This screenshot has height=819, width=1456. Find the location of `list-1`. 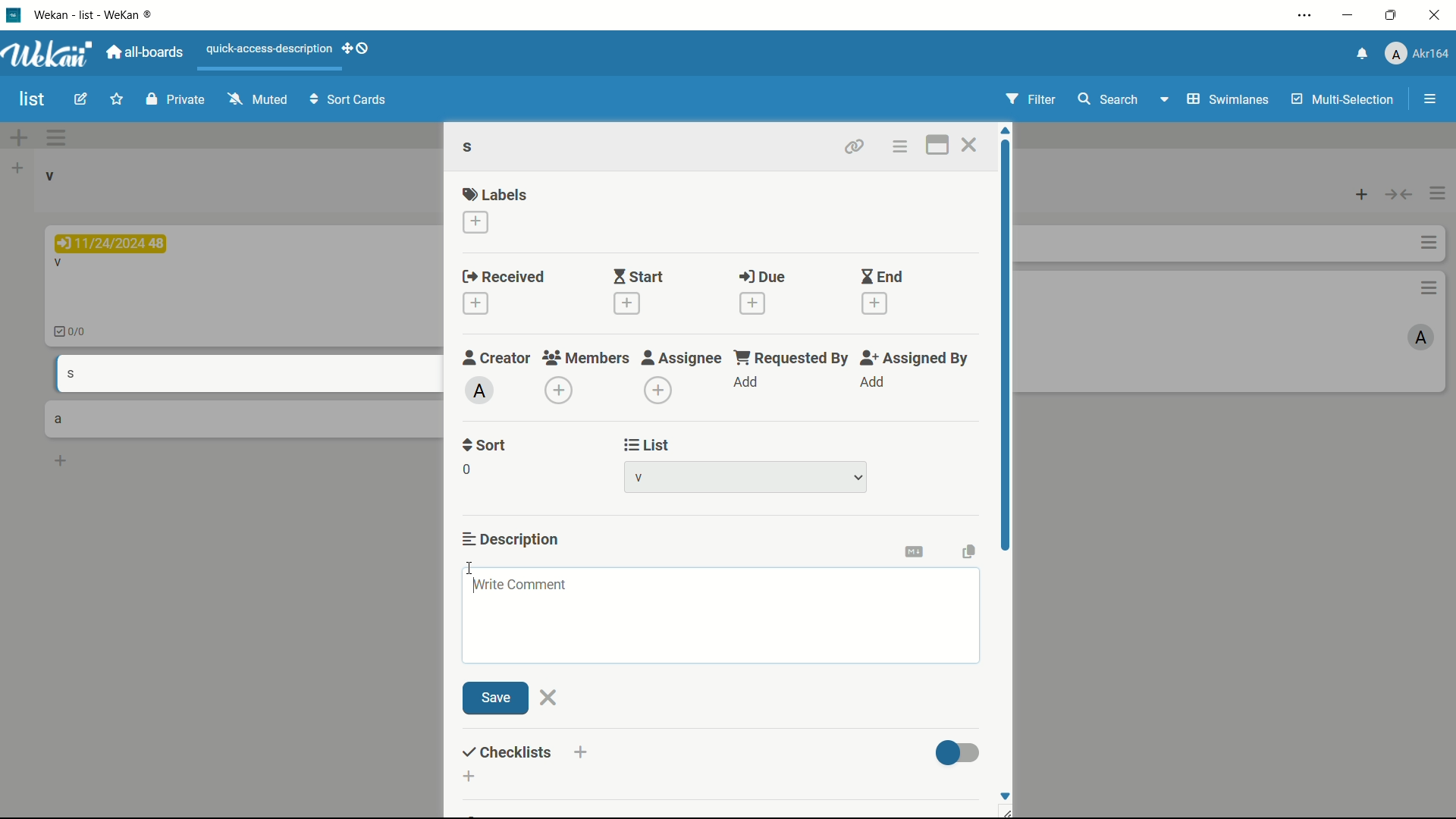

list-1 is located at coordinates (645, 477).